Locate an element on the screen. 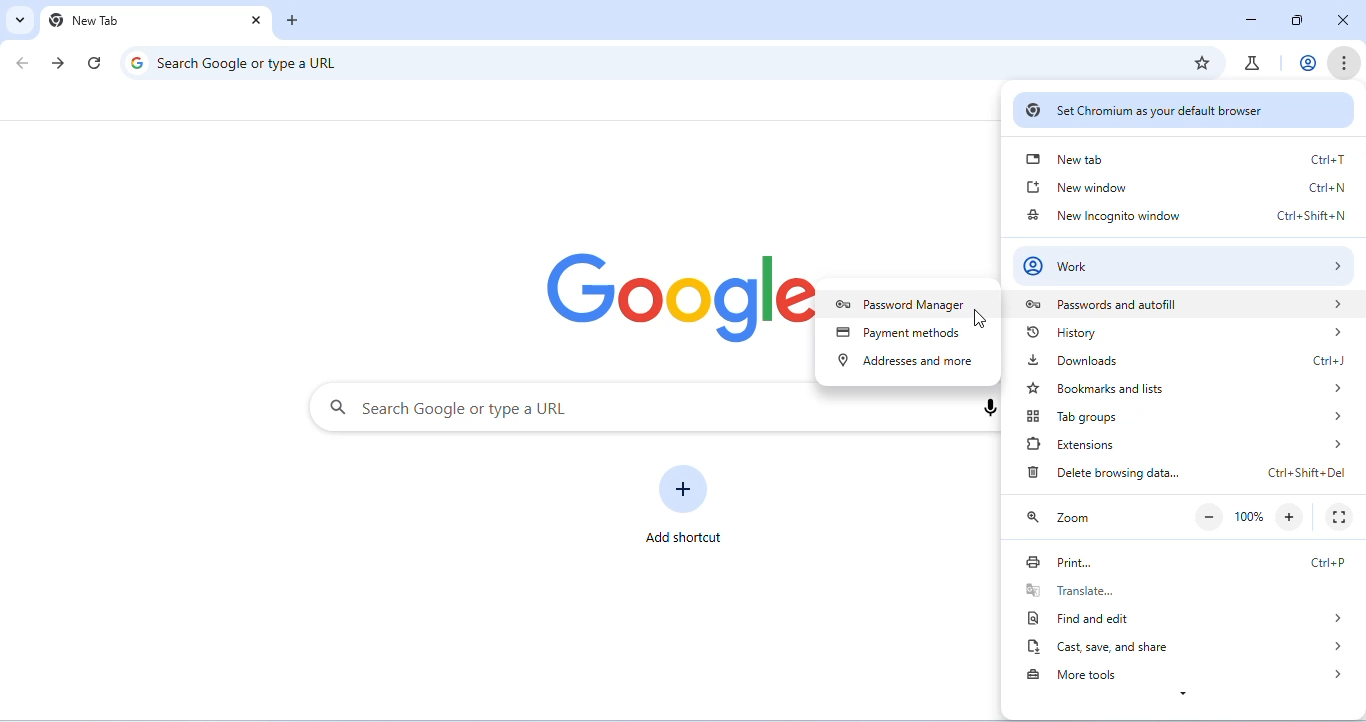 This screenshot has width=1366, height=722. close is located at coordinates (1346, 21).